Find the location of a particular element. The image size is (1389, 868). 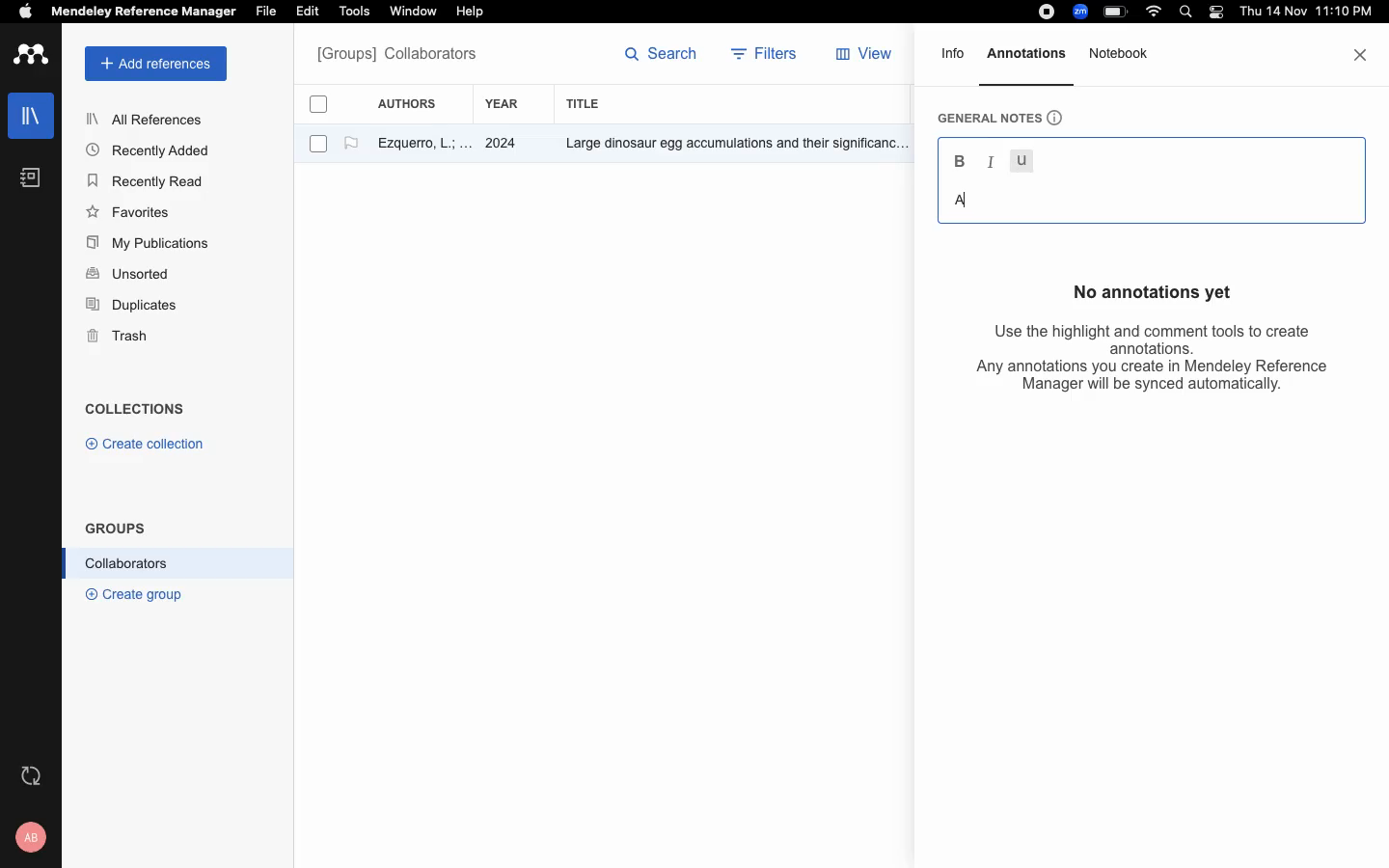

notebook is located at coordinates (31, 177).